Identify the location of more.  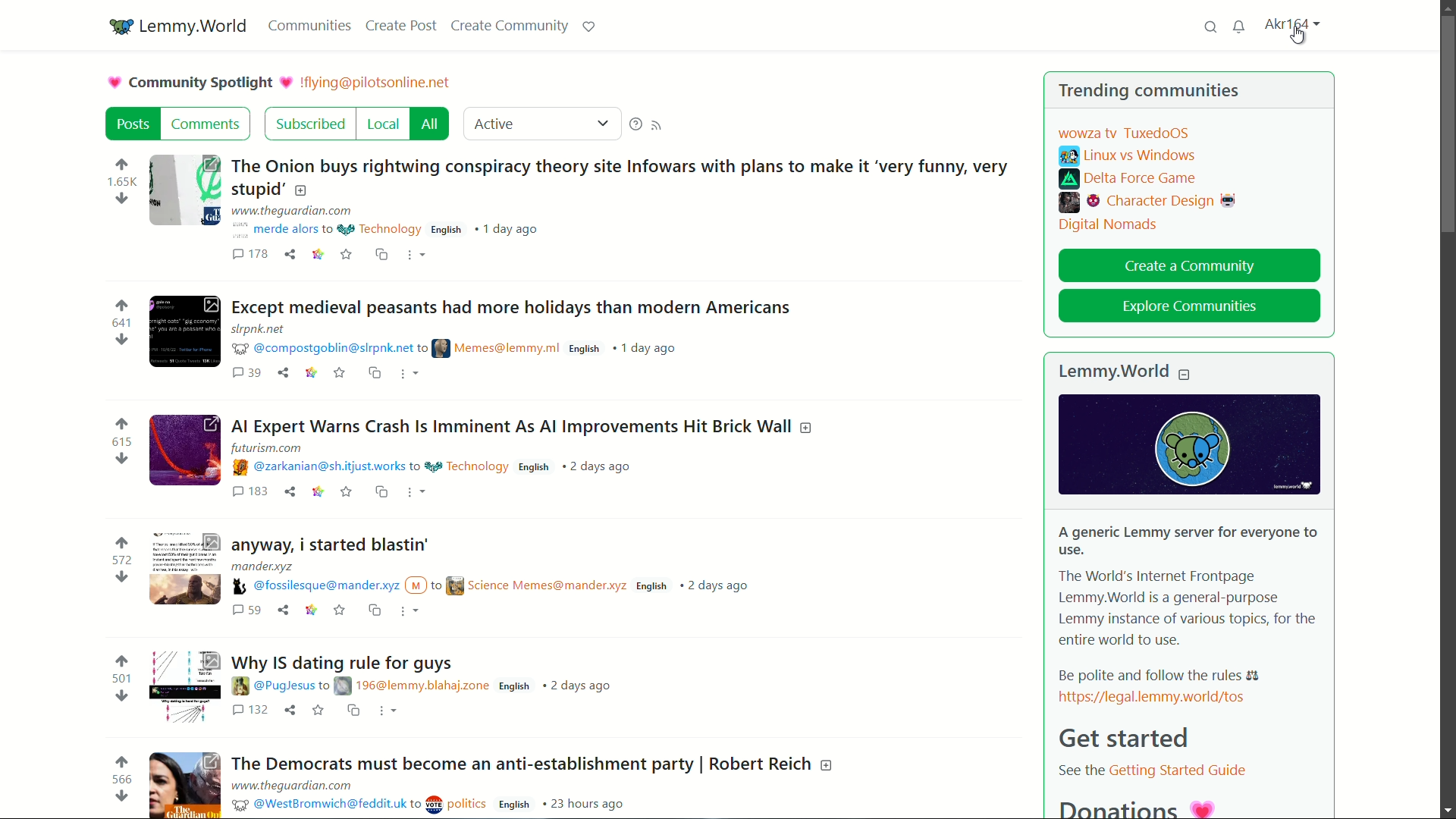
(406, 371).